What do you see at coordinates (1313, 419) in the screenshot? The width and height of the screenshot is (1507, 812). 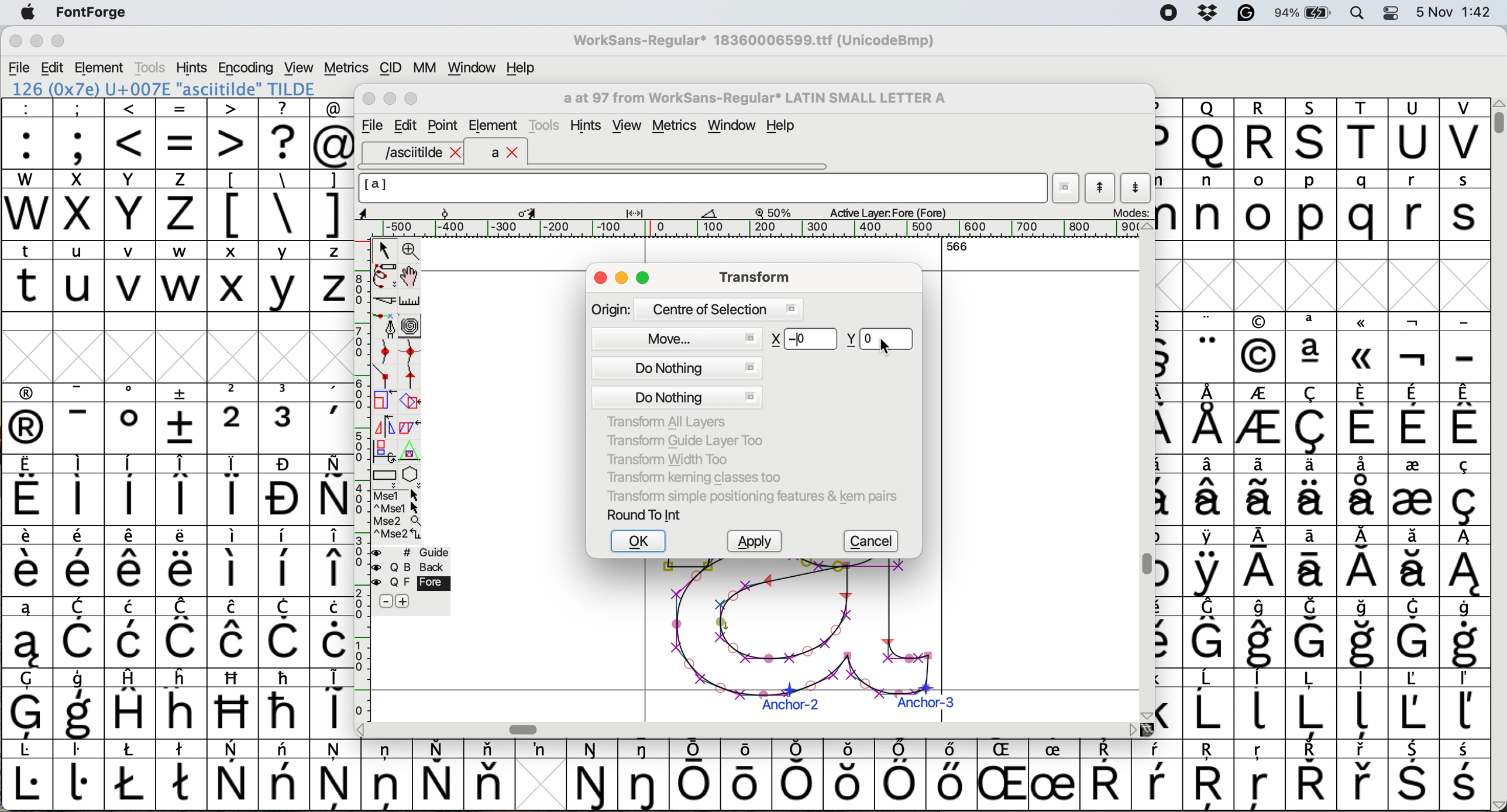 I see `symbol` at bounding box center [1313, 419].